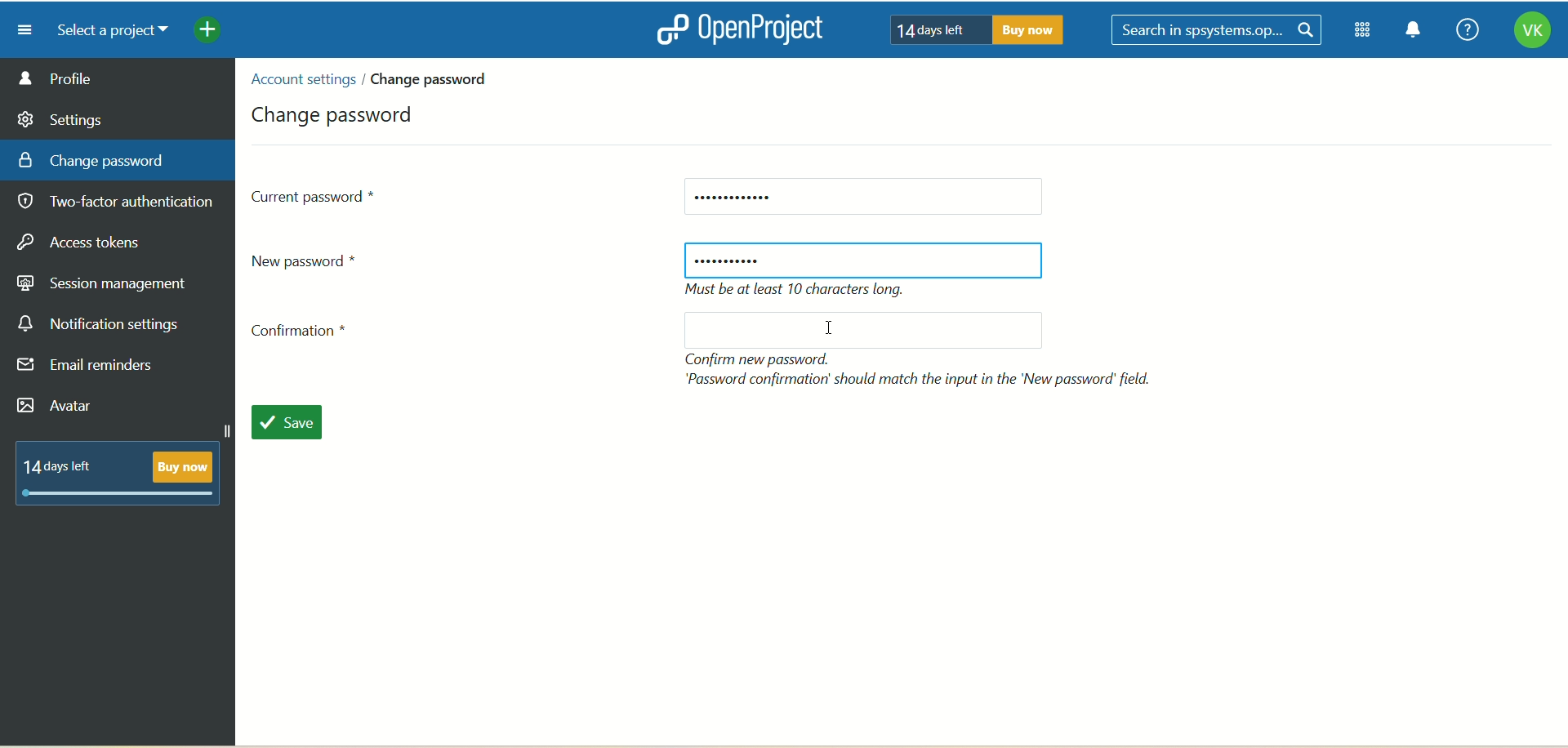 The width and height of the screenshot is (1568, 748). I want to click on select a project, so click(106, 31).